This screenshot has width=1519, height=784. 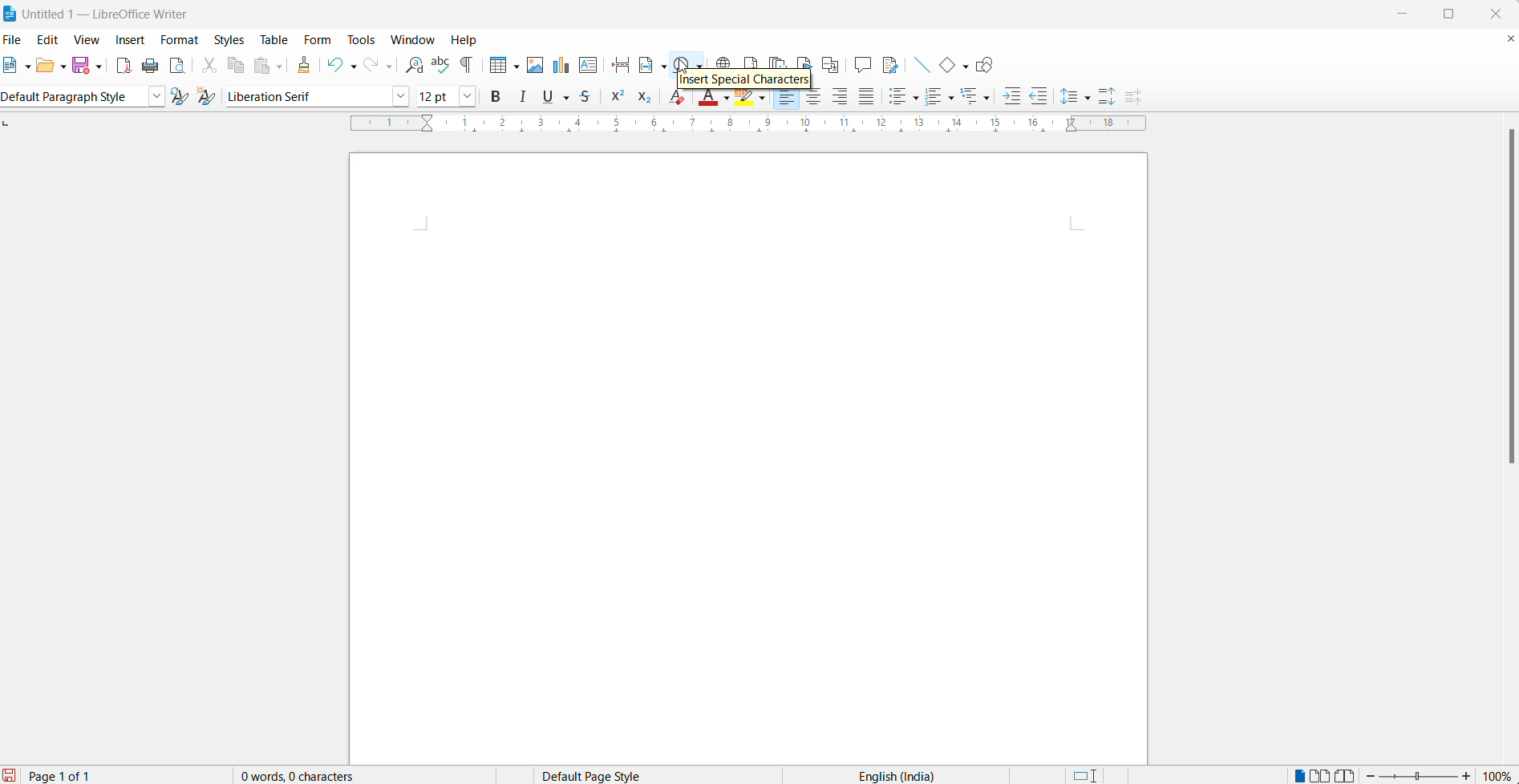 I want to click on increase paragraph space, so click(x=1115, y=93).